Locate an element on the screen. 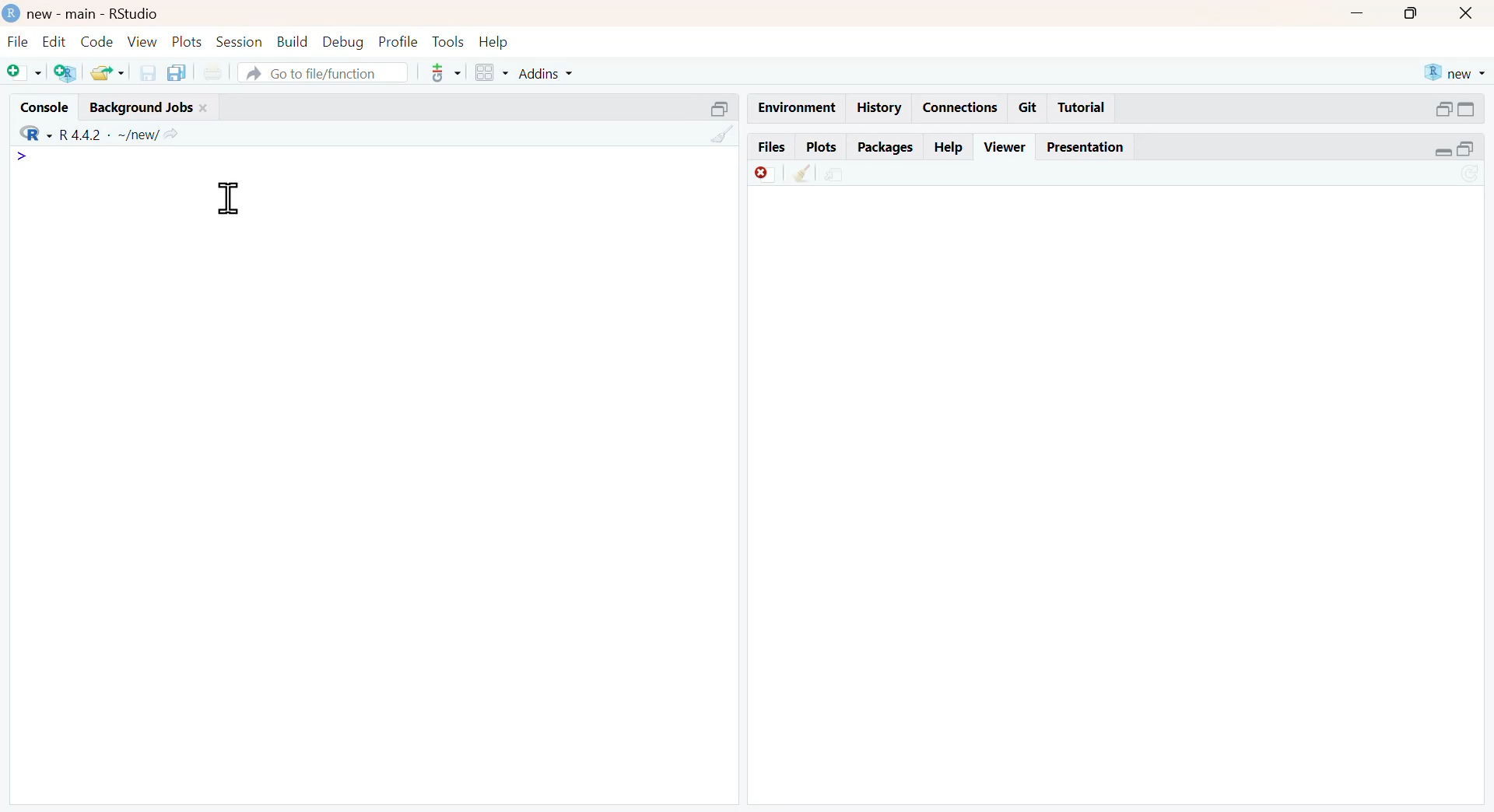 The height and width of the screenshot is (812, 1494). copy is located at coordinates (177, 72).